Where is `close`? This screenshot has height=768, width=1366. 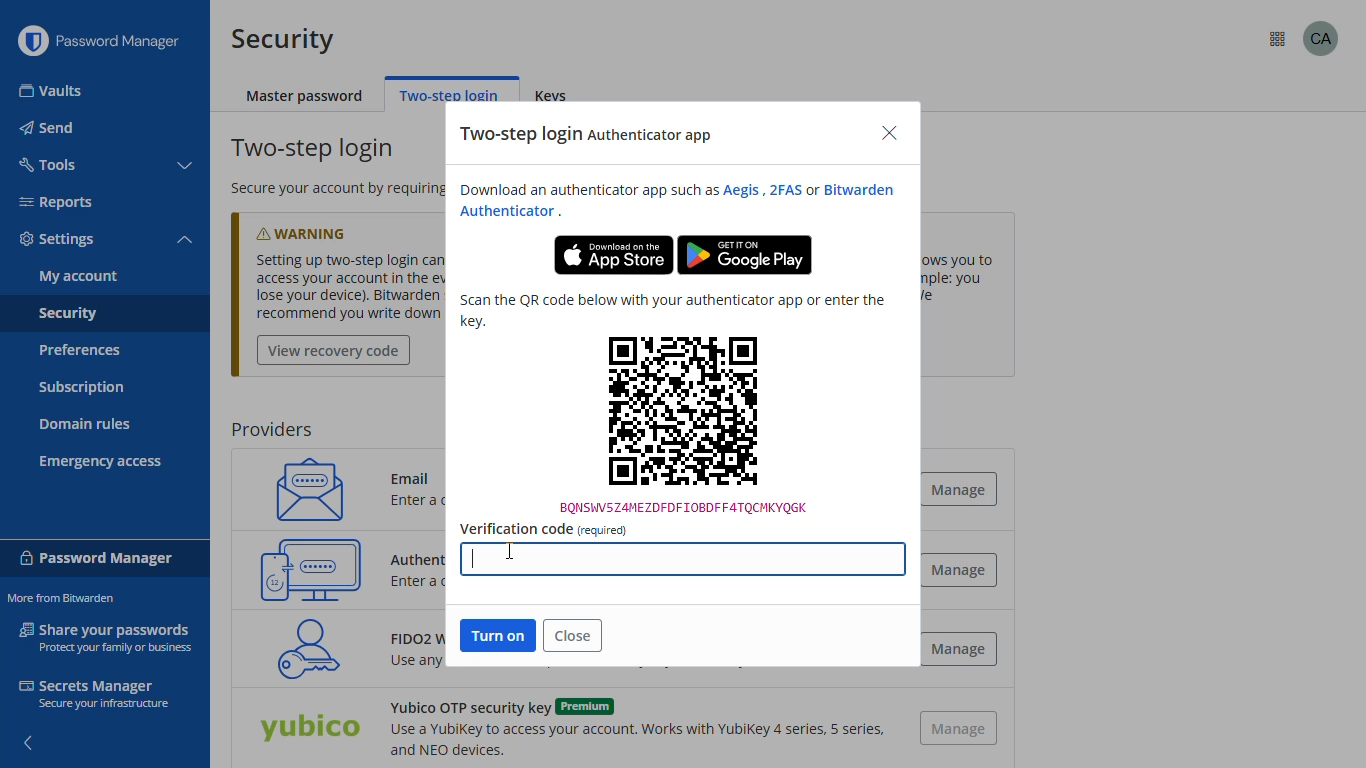 close is located at coordinates (889, 134).